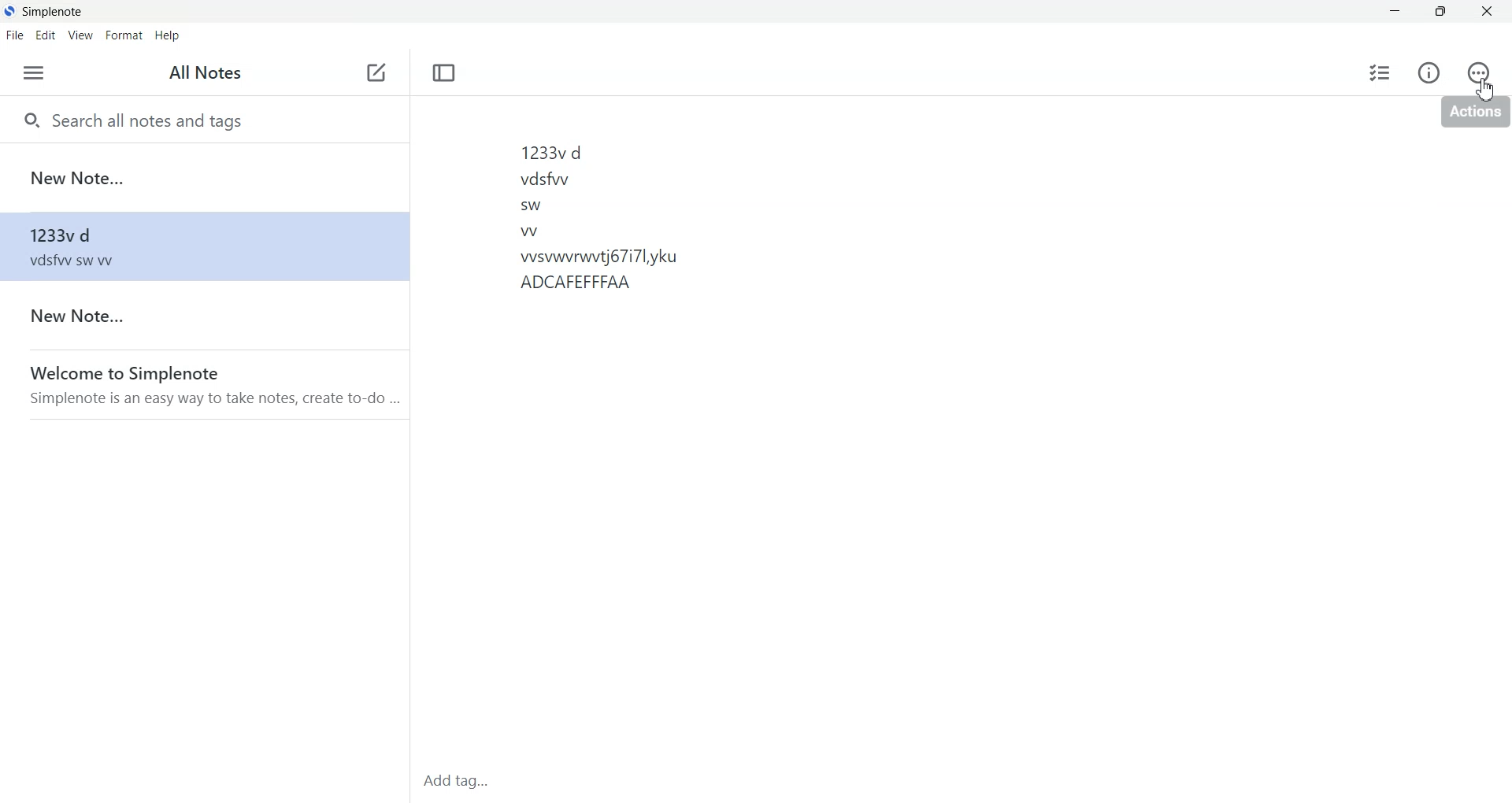 The width and height of the screenshot is (1512, 803). Describe the element at coordinates (205, 118) in the screenshot. I see `Search all notes and tags` at that location.